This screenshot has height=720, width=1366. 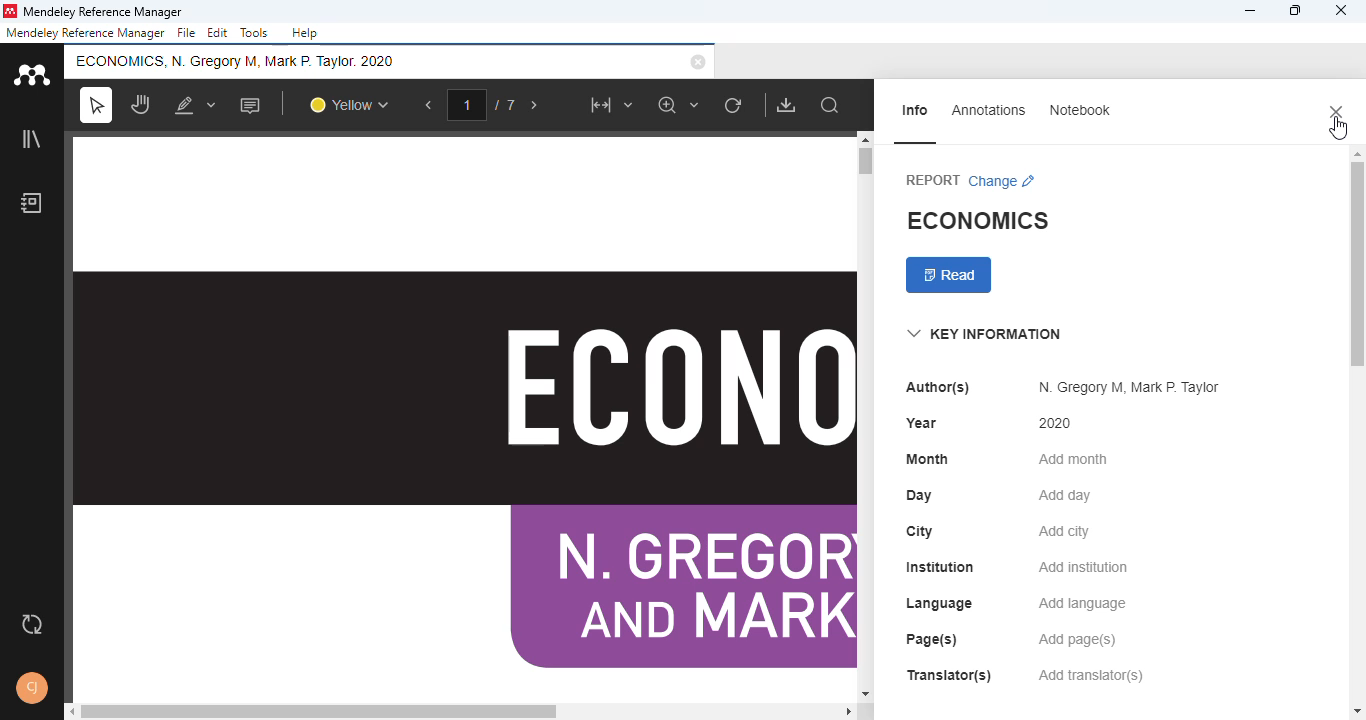 What do you see at coordinates (949, 275) in the screenshot?
I see `read` at bounding box center [949, 275].